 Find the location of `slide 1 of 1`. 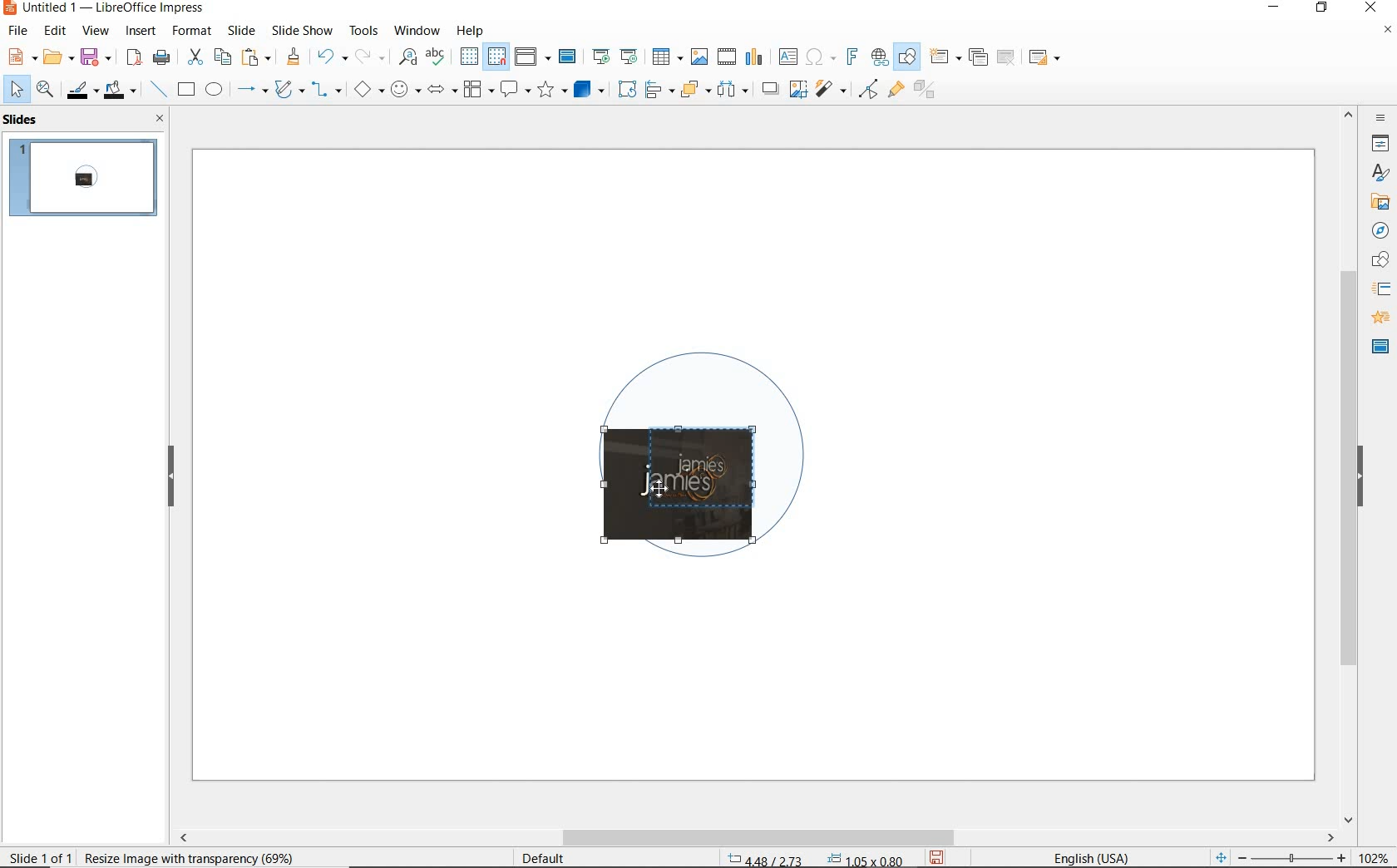

slide 1 of 1 is located at coordinates (42, 854).